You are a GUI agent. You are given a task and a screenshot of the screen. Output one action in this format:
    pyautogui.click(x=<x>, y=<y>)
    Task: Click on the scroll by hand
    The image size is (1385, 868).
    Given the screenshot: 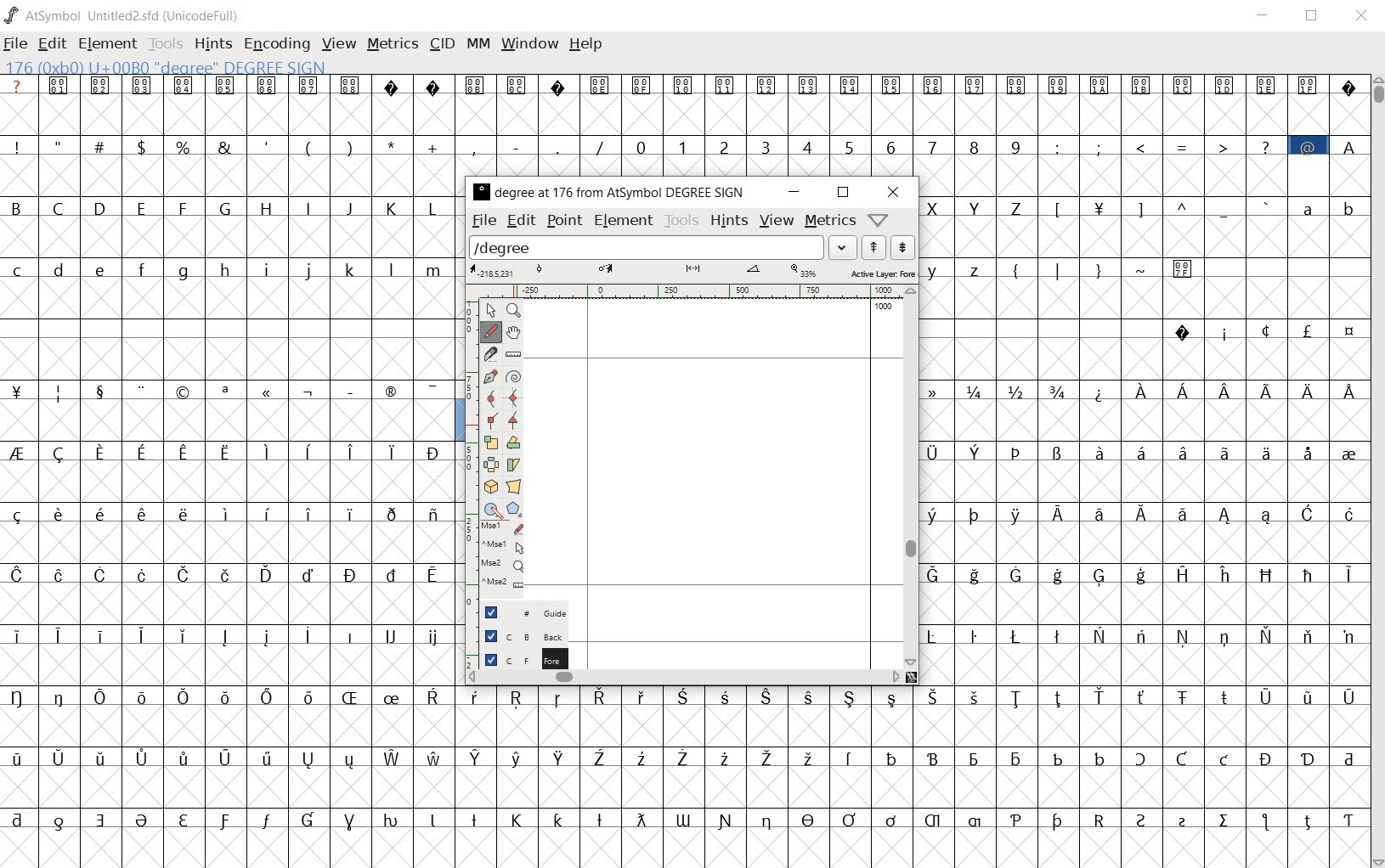 What is the action you would take?
    pyautogui.click(x=512, y=335)
    